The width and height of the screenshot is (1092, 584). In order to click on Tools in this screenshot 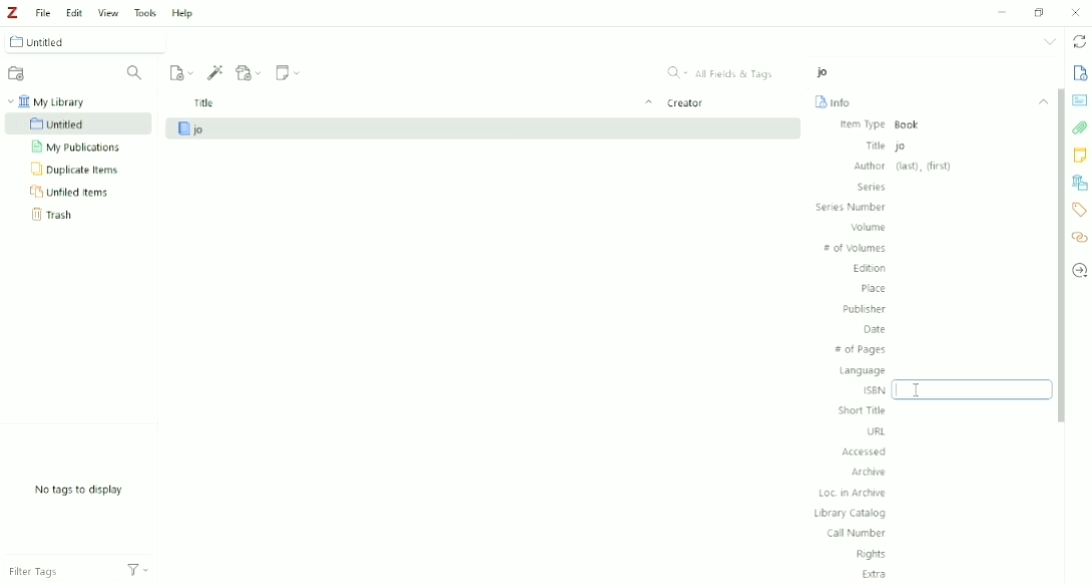, I will do `click(145, 12)`.